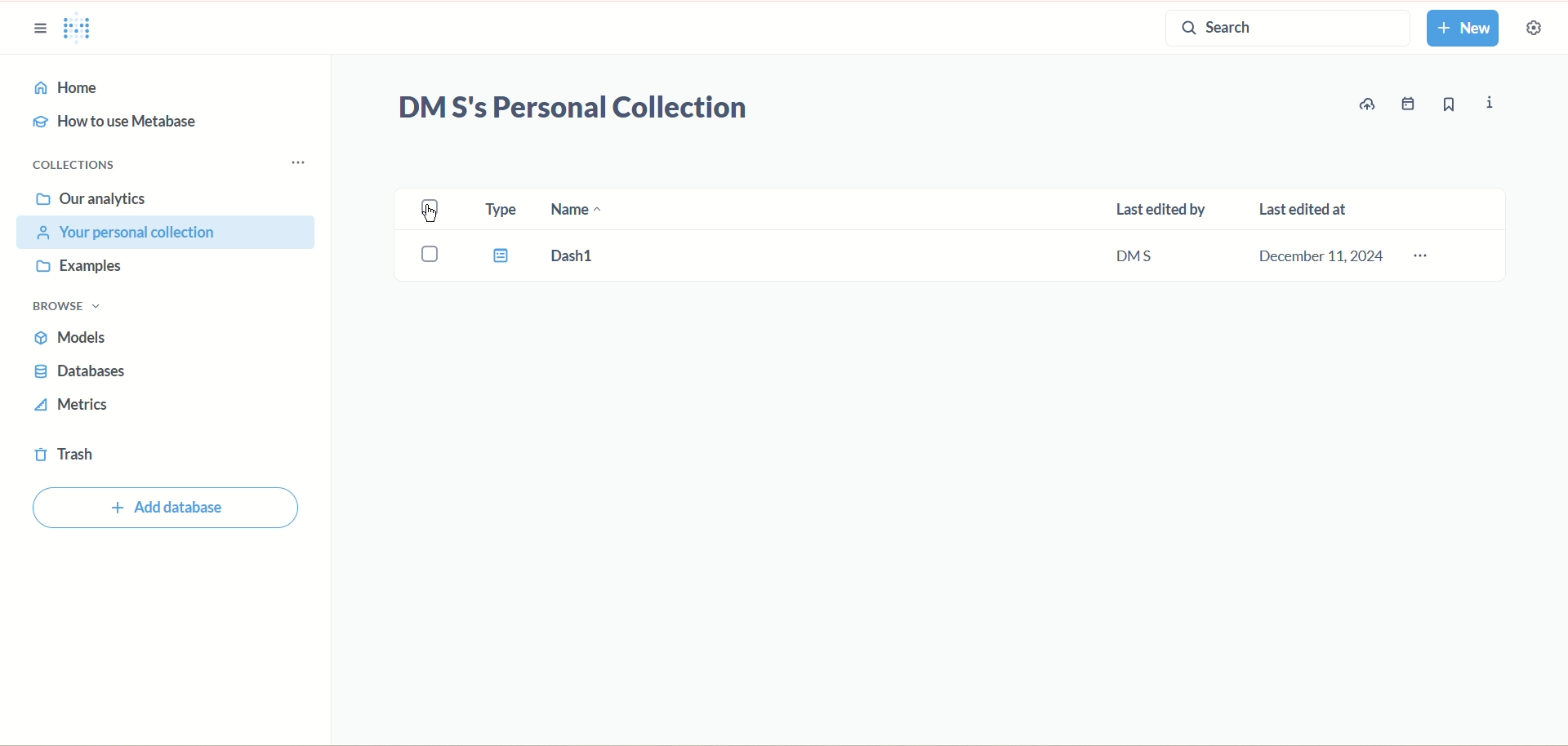 The height and width of the screenshot is (746, 1568). Describe the element at coordinates (572, 107) in the screenshot. I see `DM S's Personal Collection` at that location.